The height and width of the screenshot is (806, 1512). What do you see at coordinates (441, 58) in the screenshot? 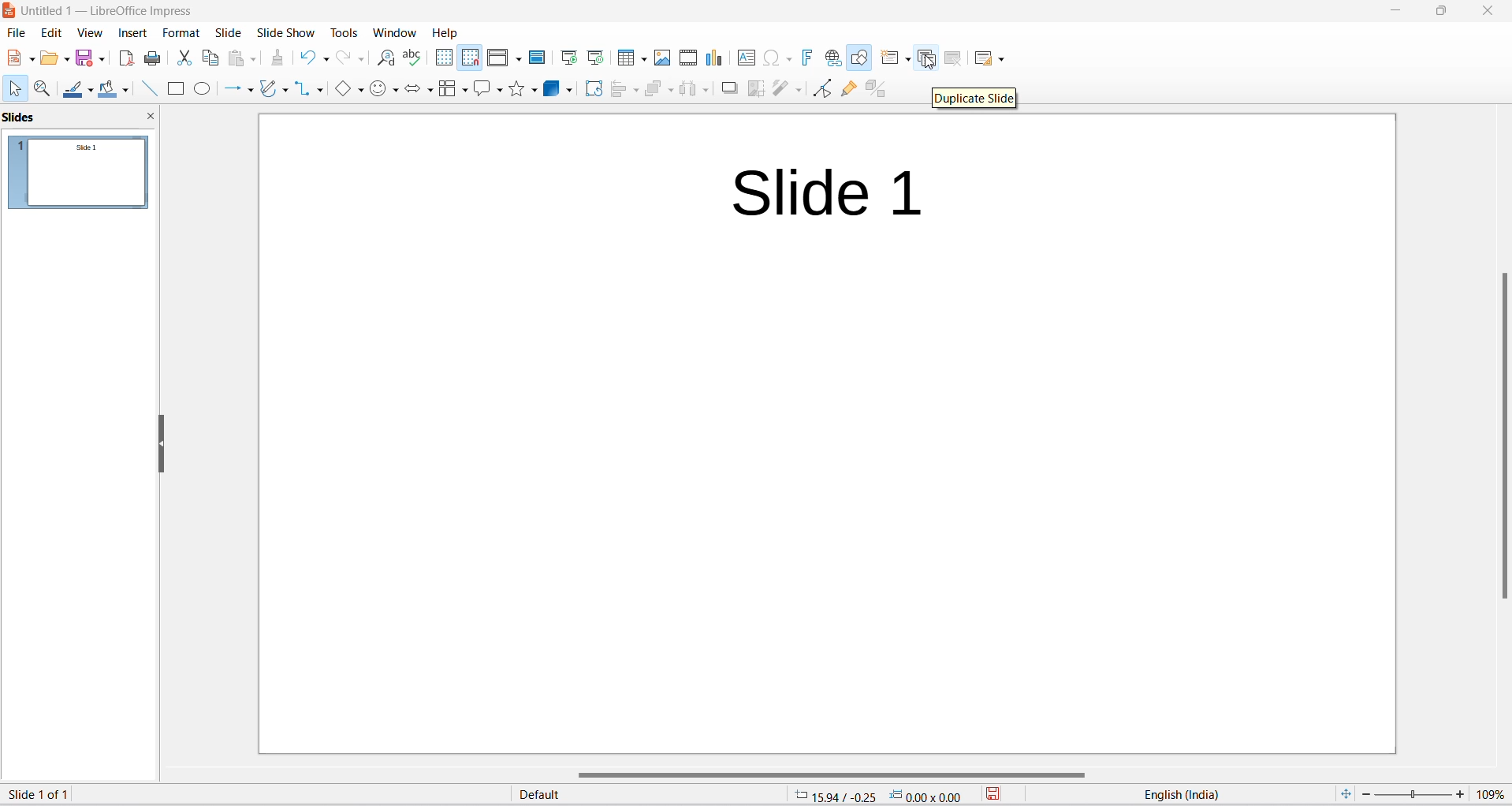
I see `display grid` at bounding box center [441, 58].